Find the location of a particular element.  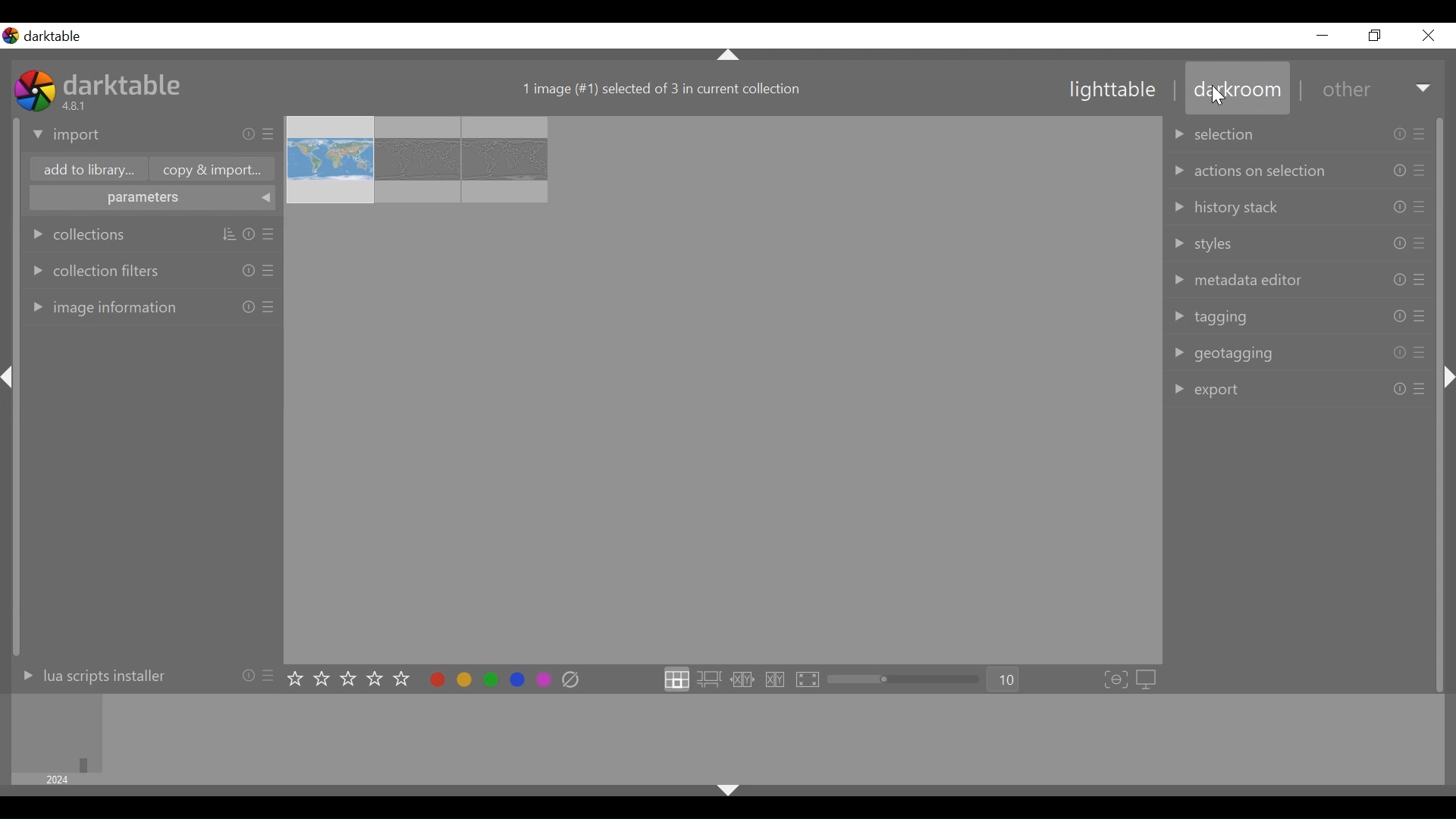

Darktable Desktop Icon is located at coordinates (33, 93).